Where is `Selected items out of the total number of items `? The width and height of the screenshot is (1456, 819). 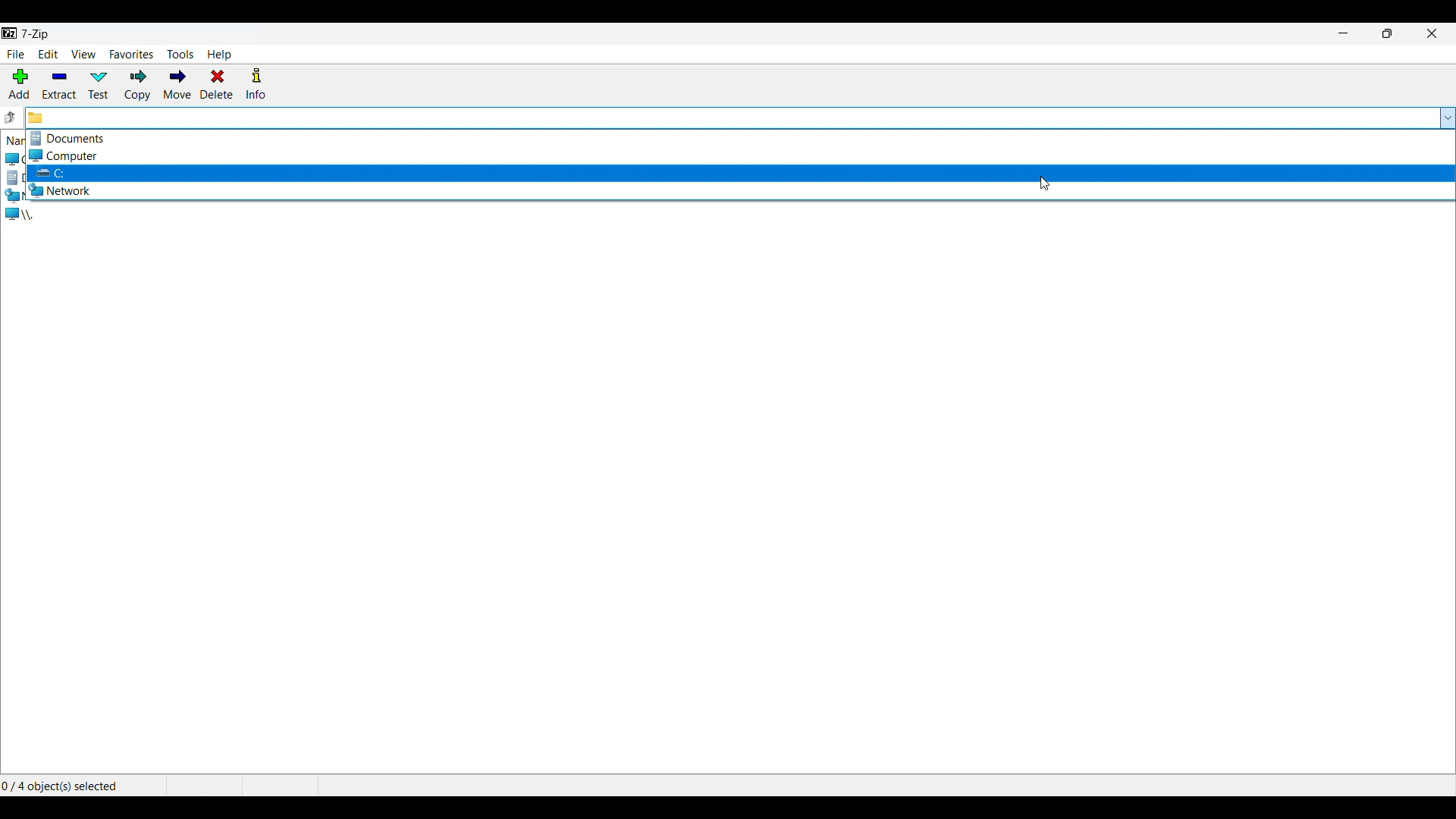 Selected items out of the total number of items  is located at coordinates (63, 785).